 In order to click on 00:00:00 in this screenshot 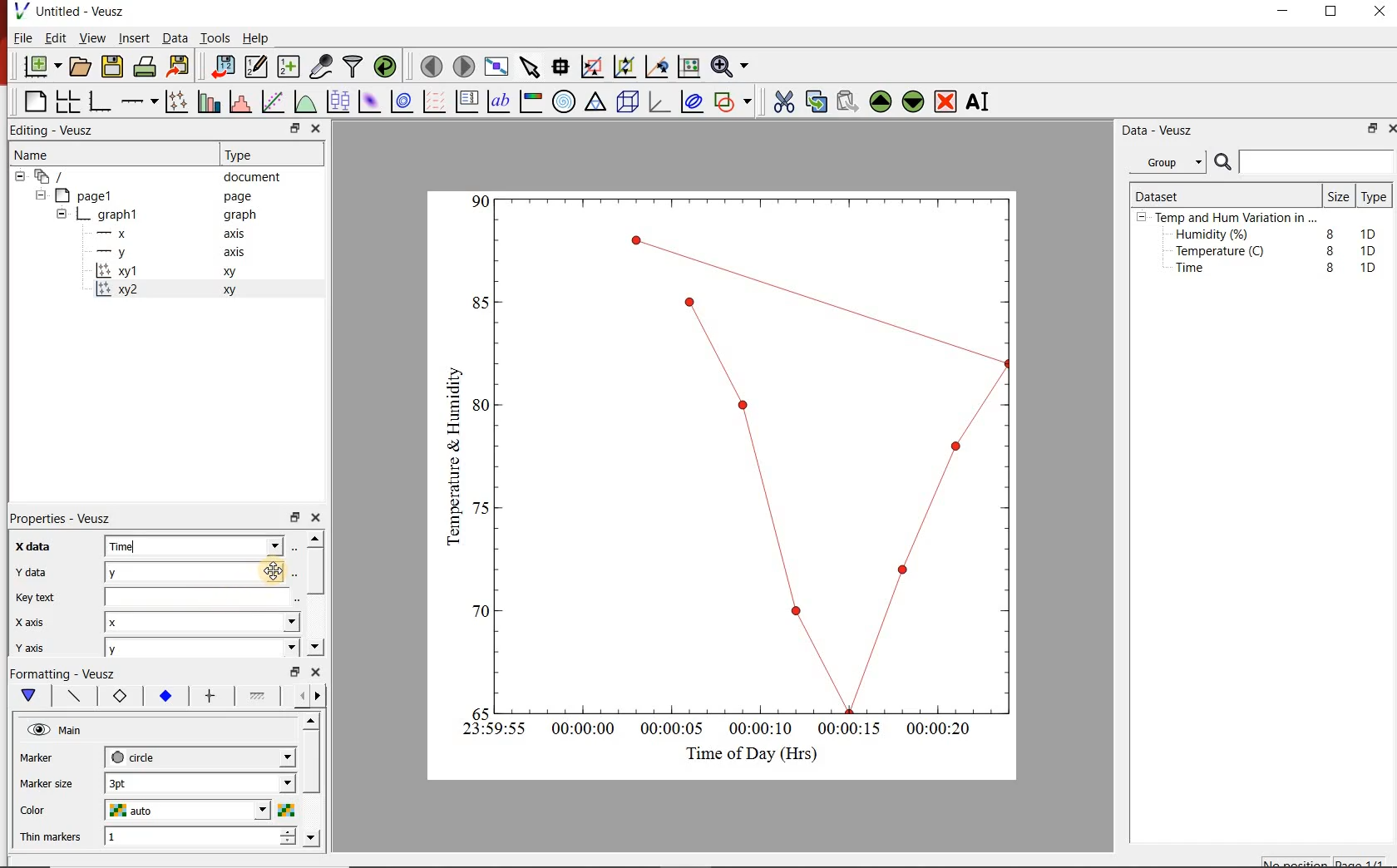, I will do `click(580, 731)`.